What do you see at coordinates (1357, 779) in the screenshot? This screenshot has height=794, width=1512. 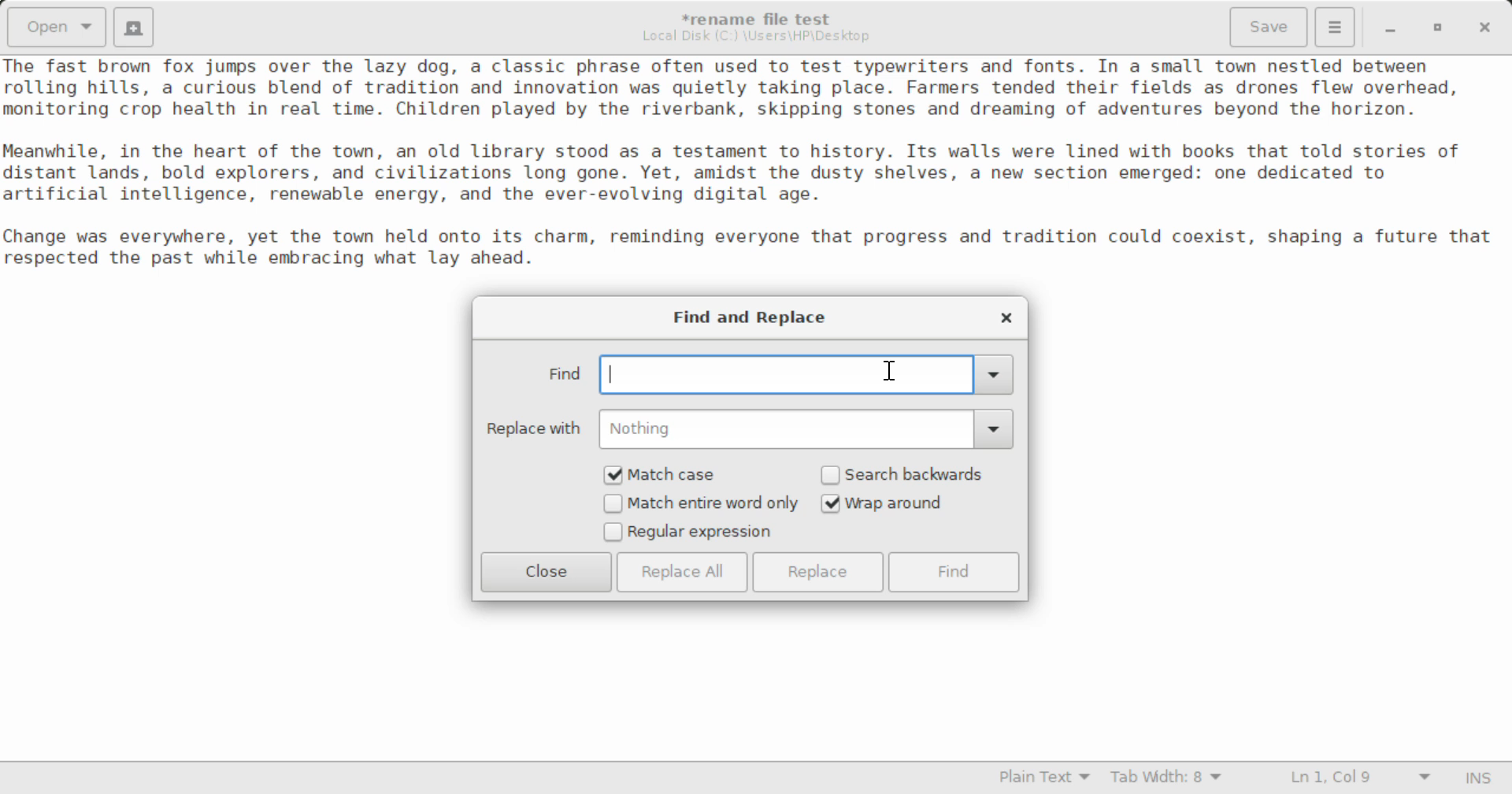 I see `Line and Character Count` at bounding box center [1357, 779].